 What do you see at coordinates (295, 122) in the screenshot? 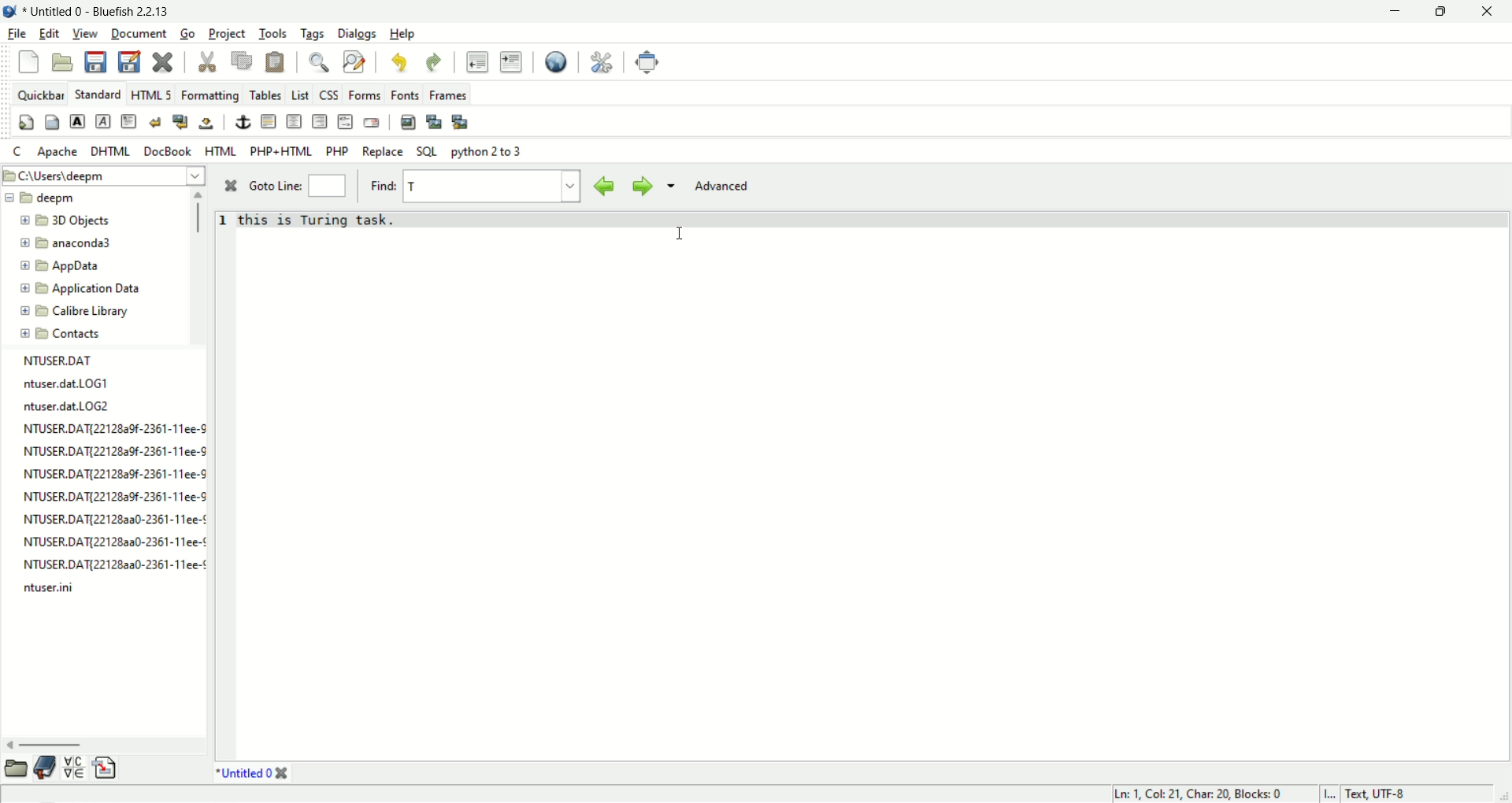
I see `center` at bounding box center [295, 122].